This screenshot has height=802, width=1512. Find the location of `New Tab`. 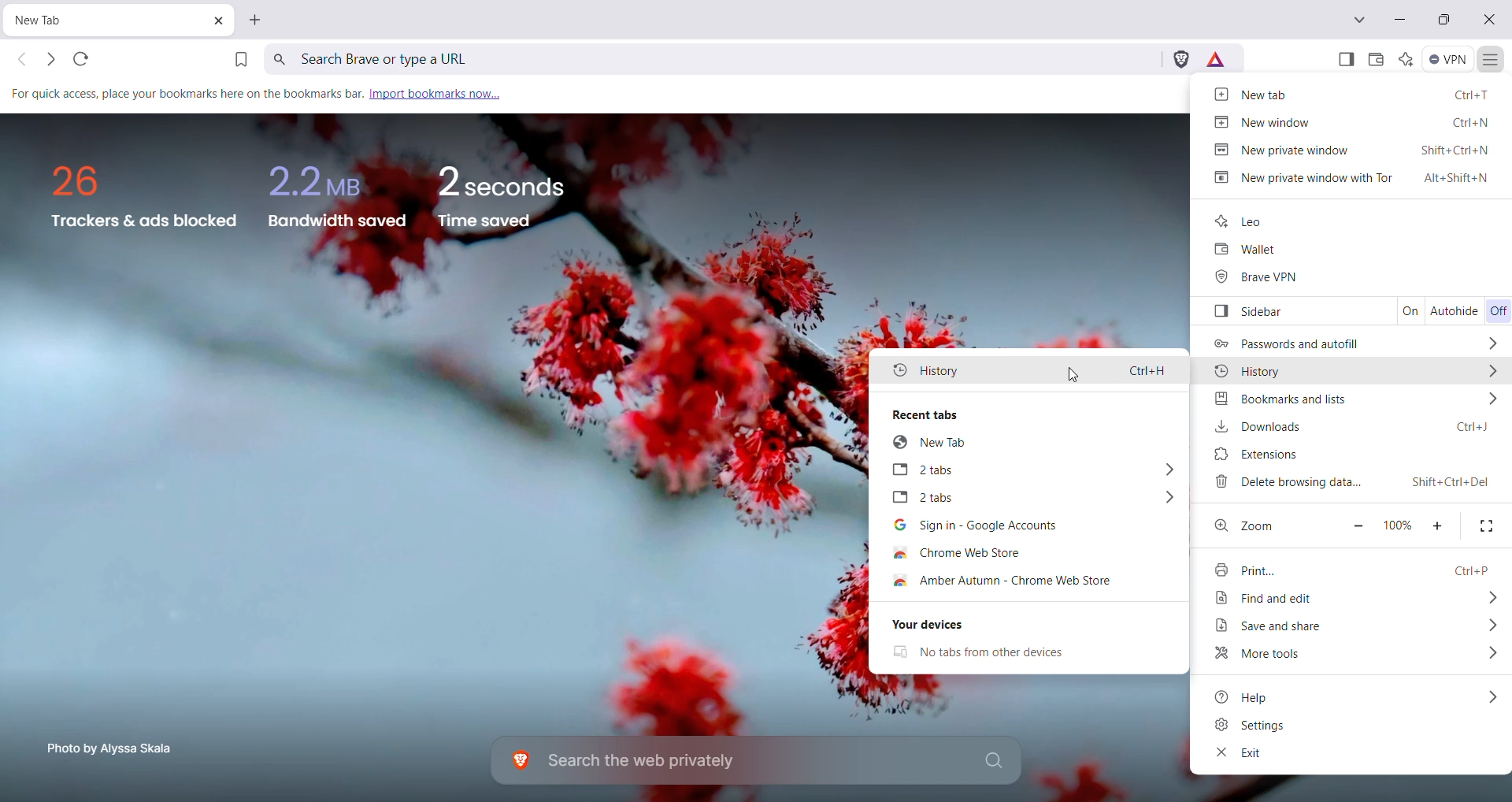

New Tab is located at coordinates (1353, 95).